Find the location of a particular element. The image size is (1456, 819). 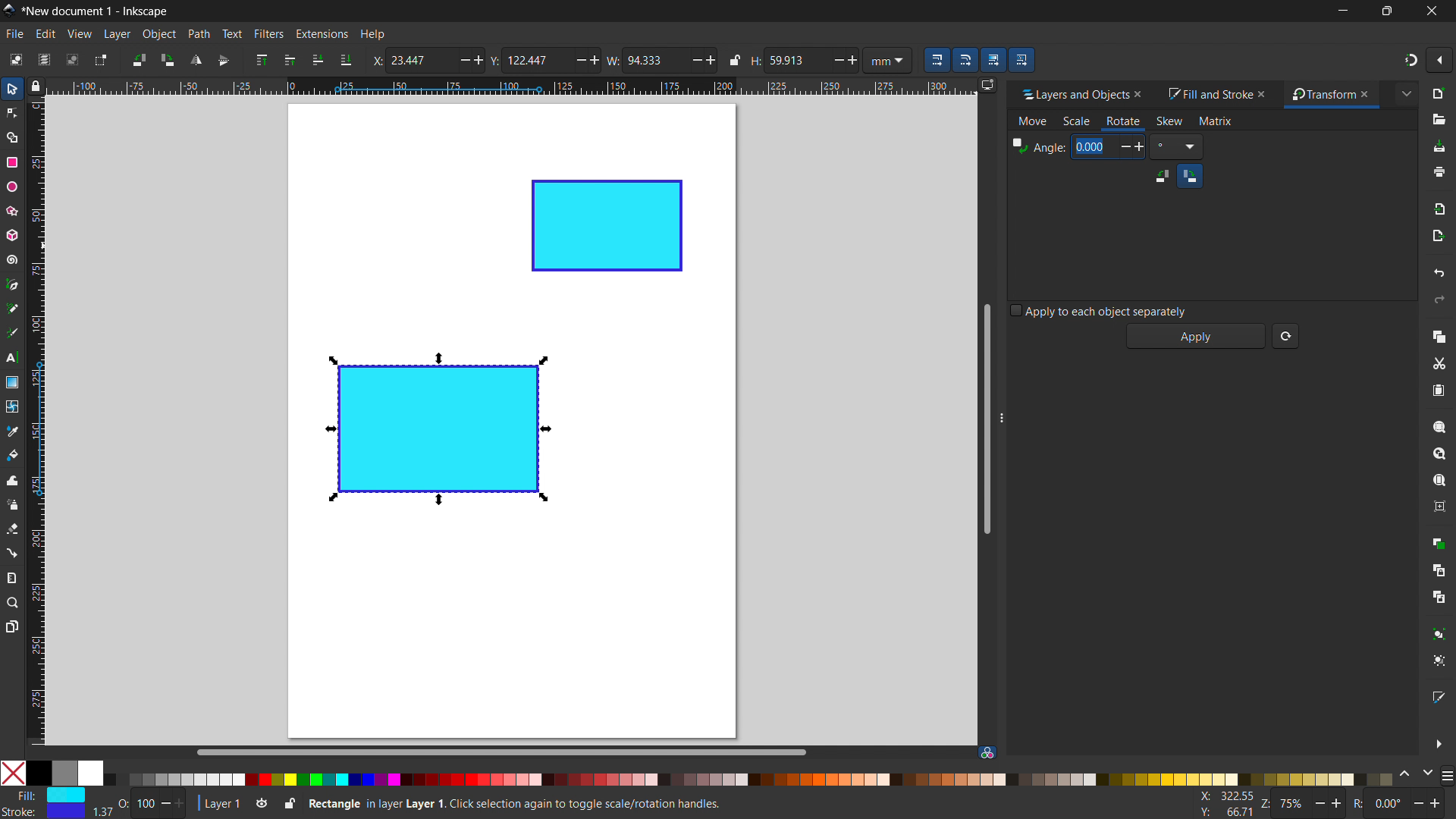

paste is located at coordinates (1438, 390).